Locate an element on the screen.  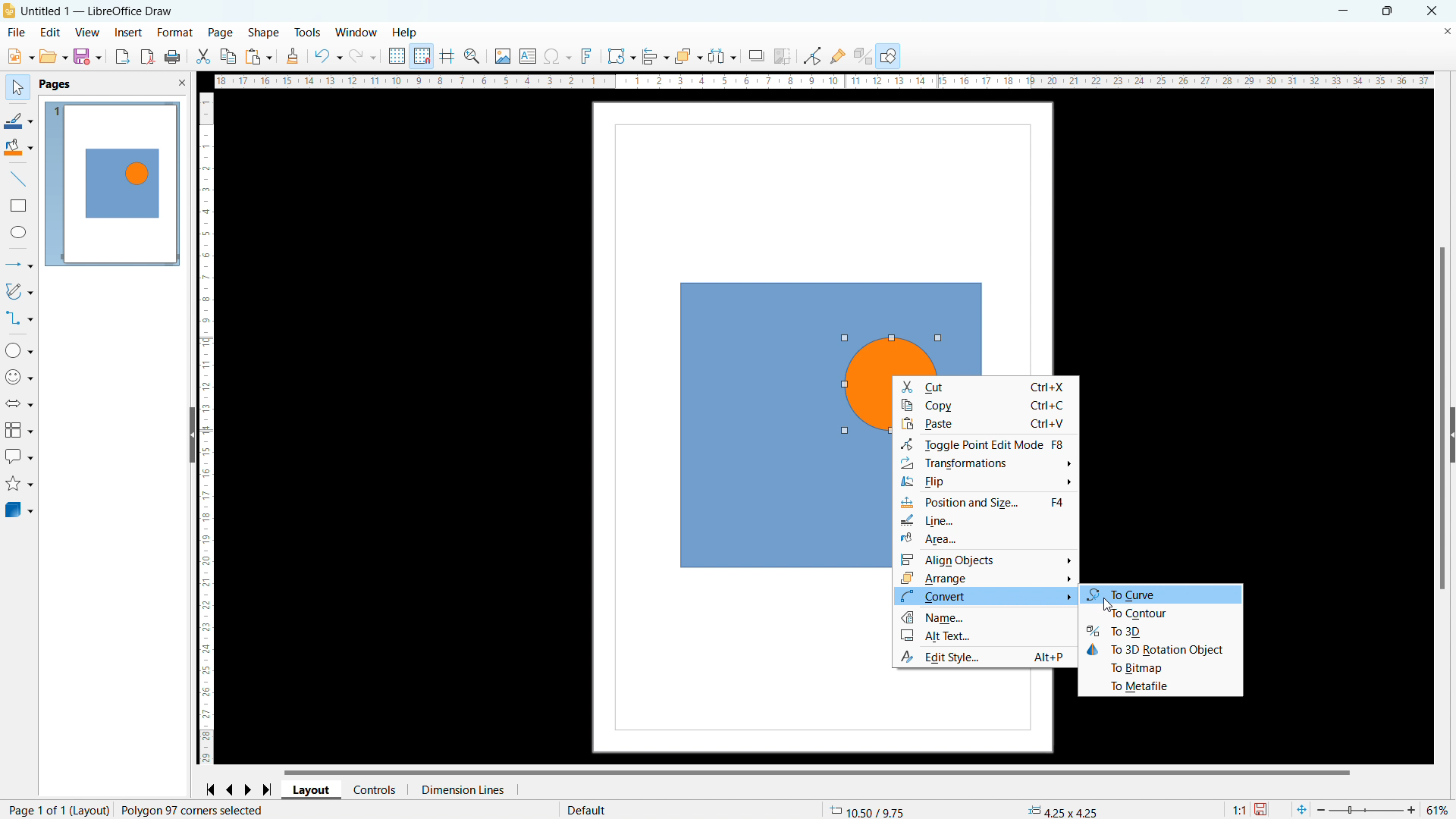
Polygon 97 corner selected is located at coordinates (196, 809).